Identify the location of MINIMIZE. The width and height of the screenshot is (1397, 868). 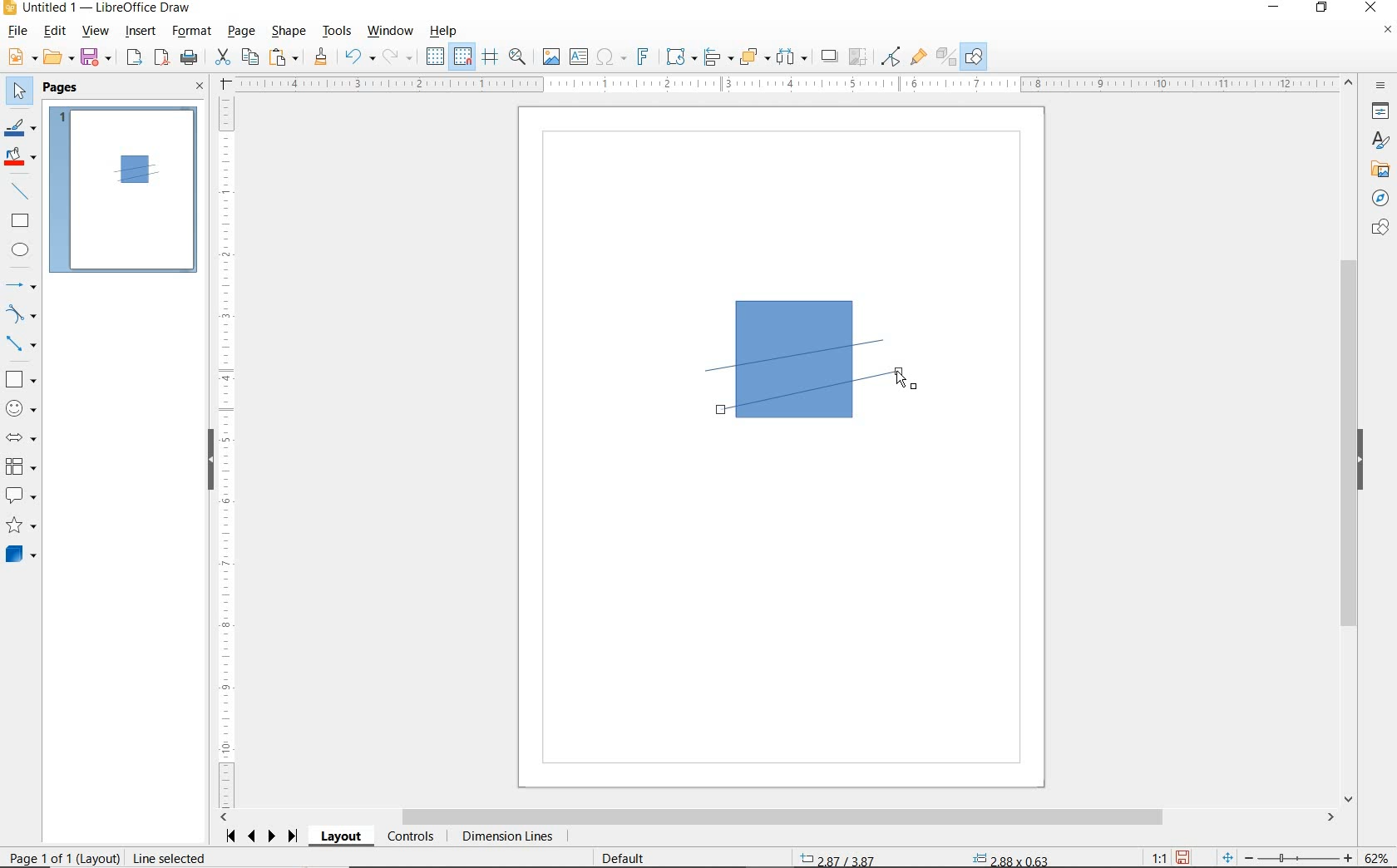
(1278, 8).